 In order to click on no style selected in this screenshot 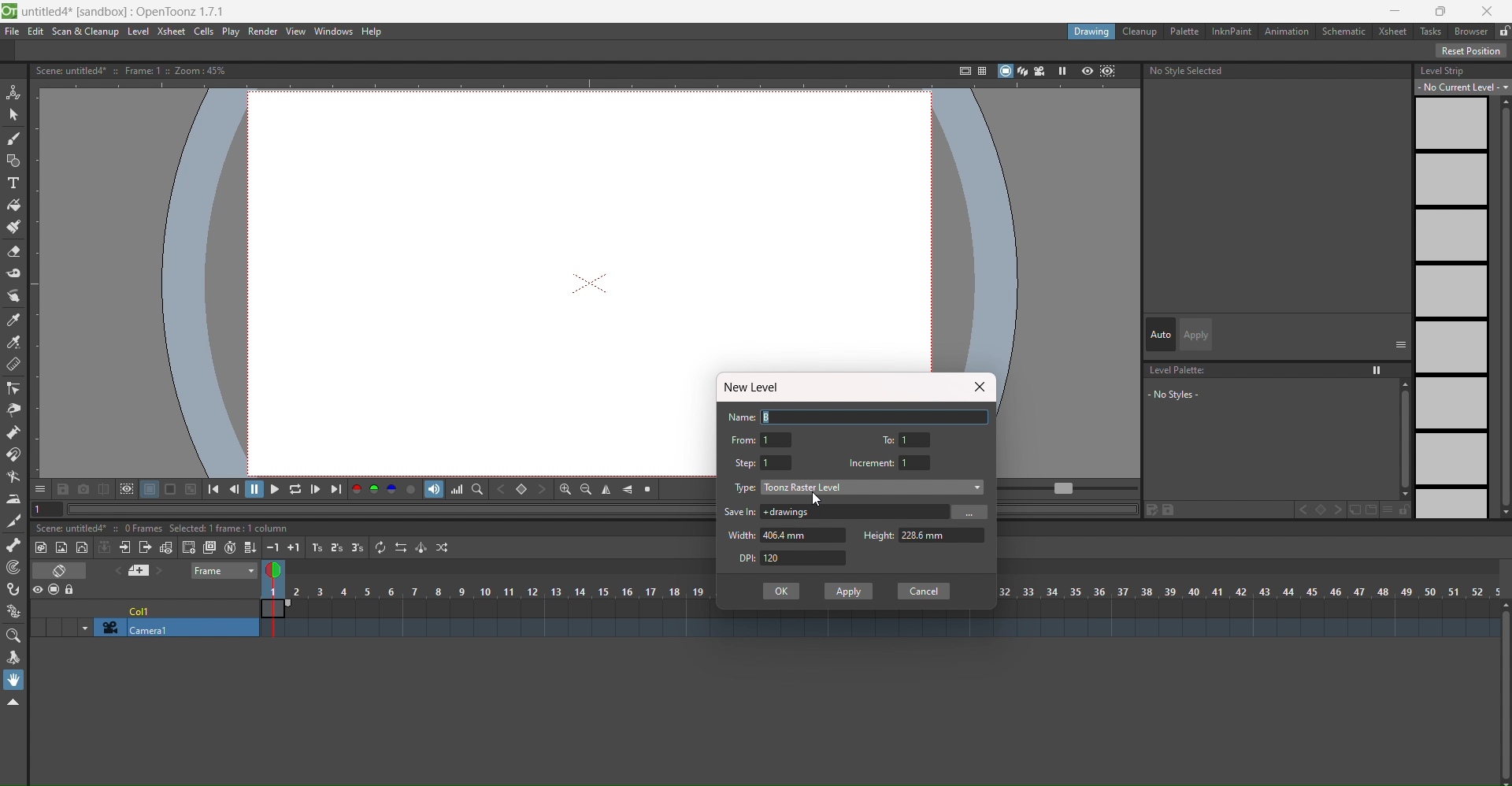, I will do `click(1279, 73)`.